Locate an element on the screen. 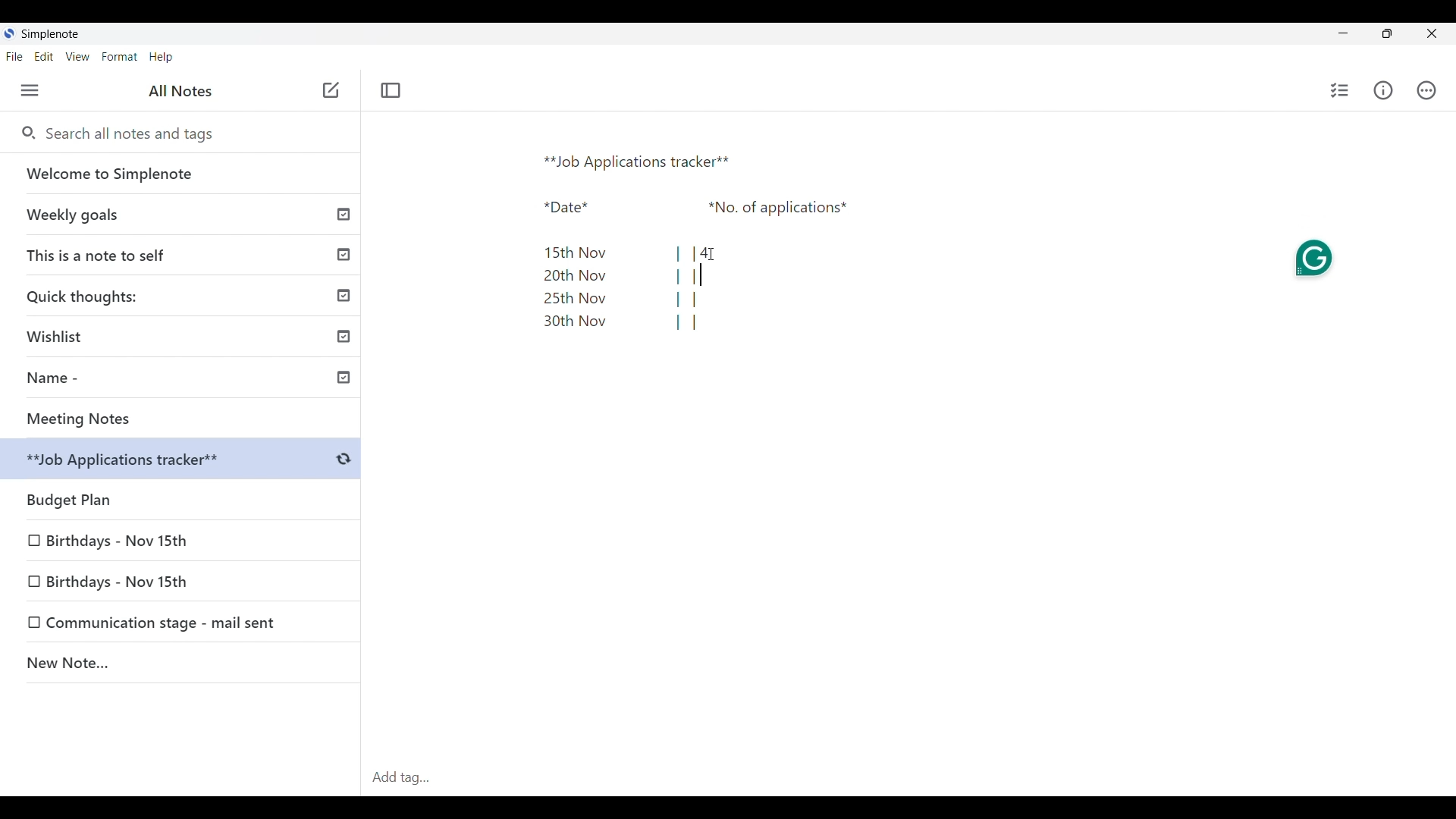 Image resolution: width=1456 pixels, height=819 pixels. Software logo is located at coordinates (8, 33).